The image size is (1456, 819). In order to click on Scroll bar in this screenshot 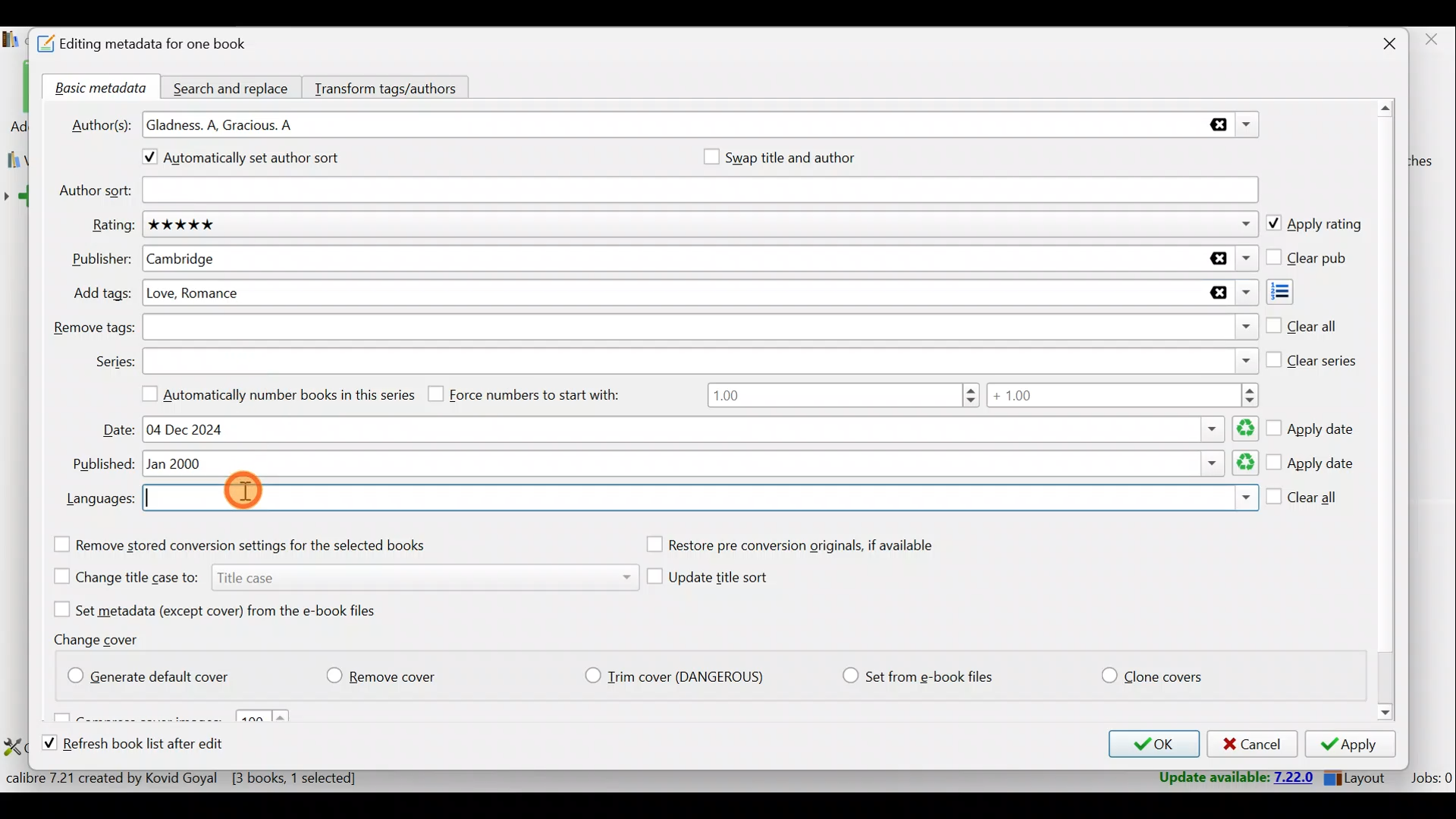, I will do `click(1387, 413)`.